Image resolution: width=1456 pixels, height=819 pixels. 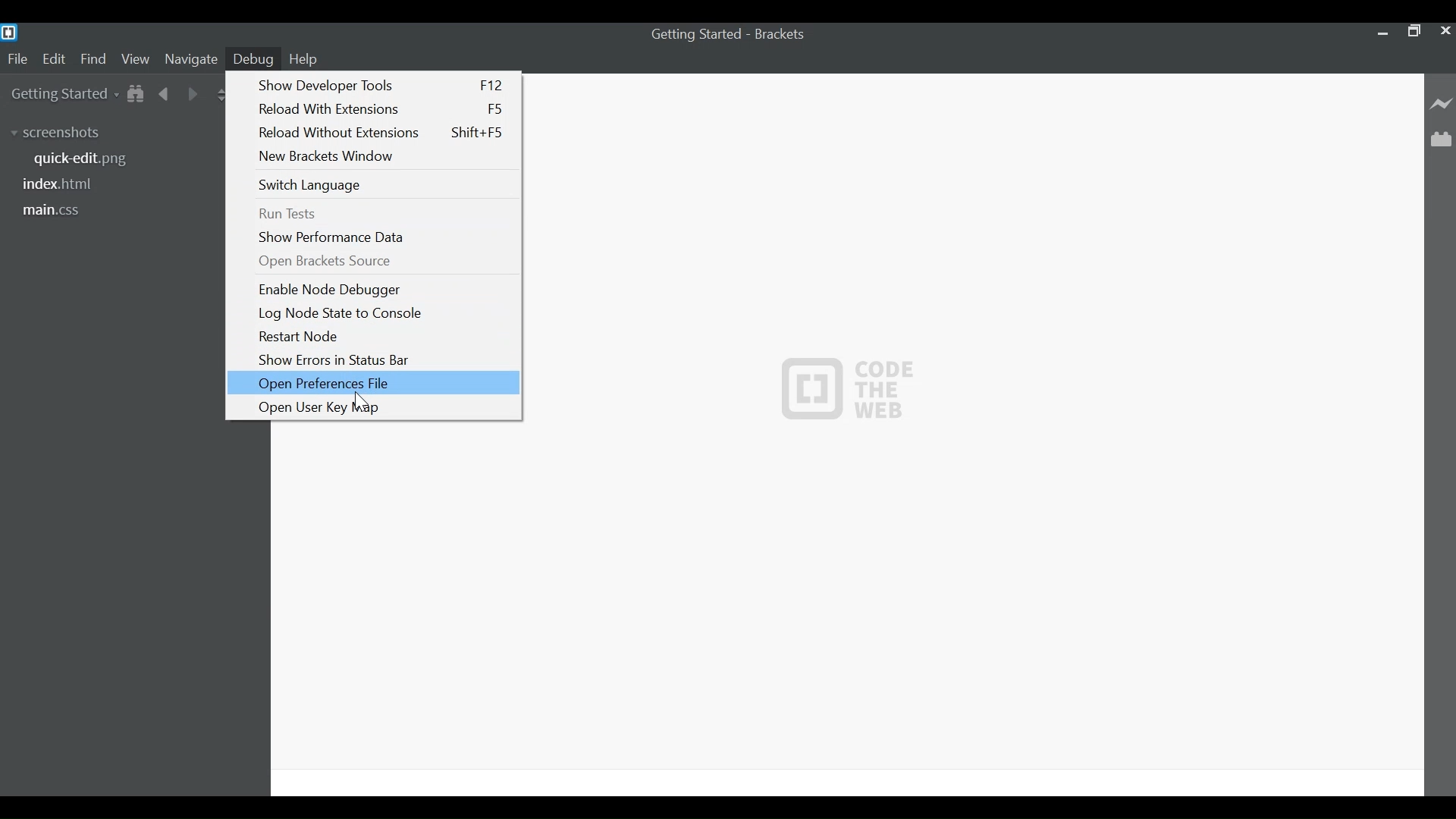 What do you see at coordinates (165, 93) in the screenshot?
I see `Navigate back` at bounding box center [165, 93].